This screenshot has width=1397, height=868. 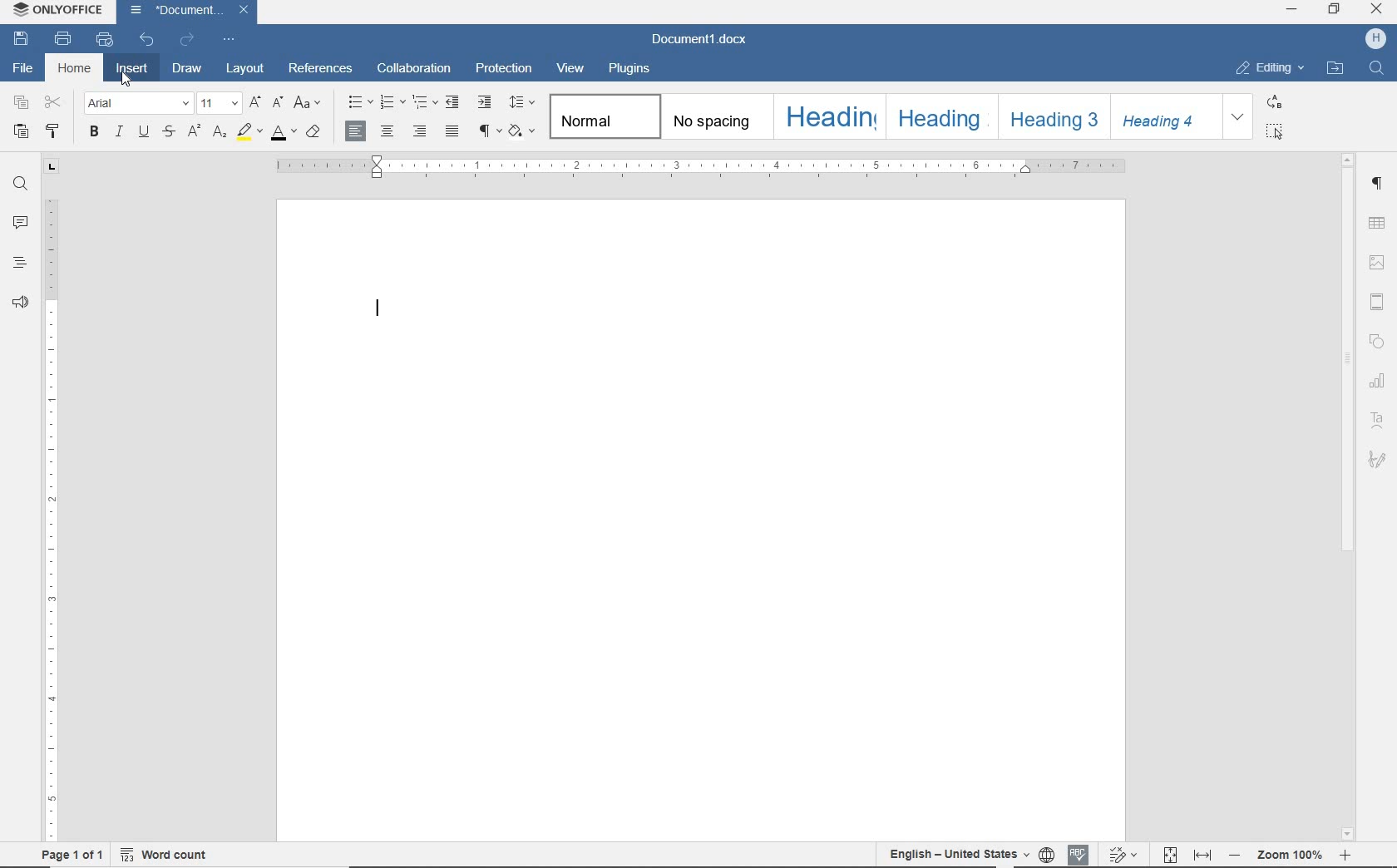 I want to click on track changes, so click(x=1127, y=856).